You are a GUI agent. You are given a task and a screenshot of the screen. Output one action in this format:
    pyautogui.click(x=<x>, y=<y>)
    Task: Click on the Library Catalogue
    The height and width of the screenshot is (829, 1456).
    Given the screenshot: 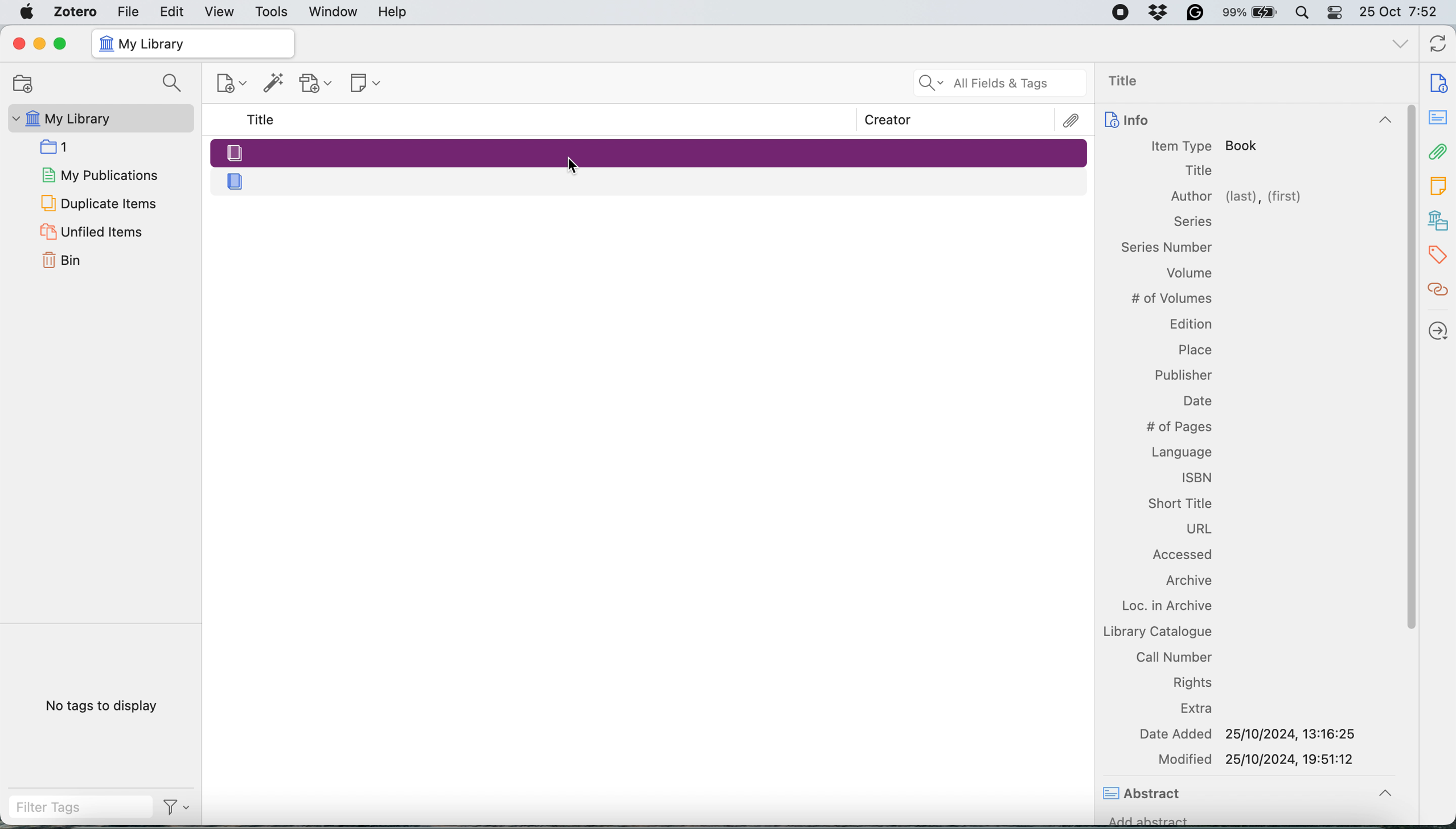 What is the action you would take?
    pyautogui.click(x=1156, y=631)
    